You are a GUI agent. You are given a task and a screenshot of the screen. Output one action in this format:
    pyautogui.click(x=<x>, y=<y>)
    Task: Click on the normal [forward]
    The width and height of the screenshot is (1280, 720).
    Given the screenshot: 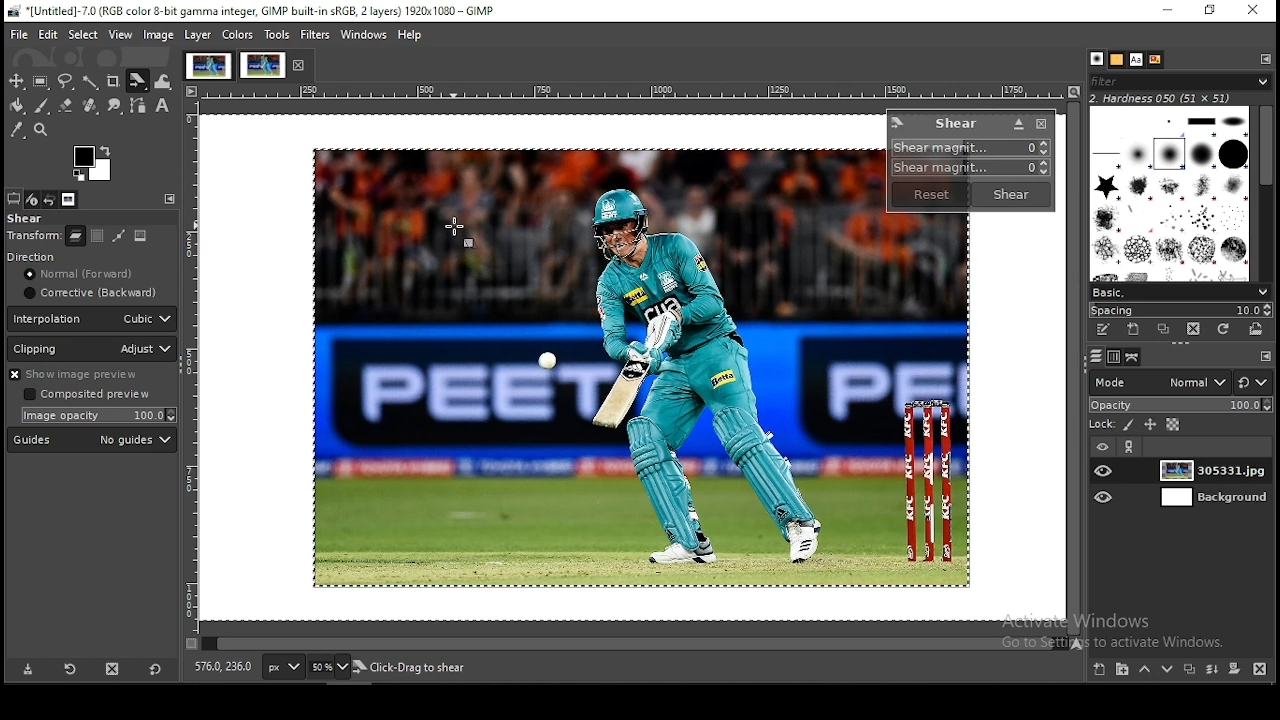 What is the action you would take?
    pyautogui.click(x=93, y=274)
    